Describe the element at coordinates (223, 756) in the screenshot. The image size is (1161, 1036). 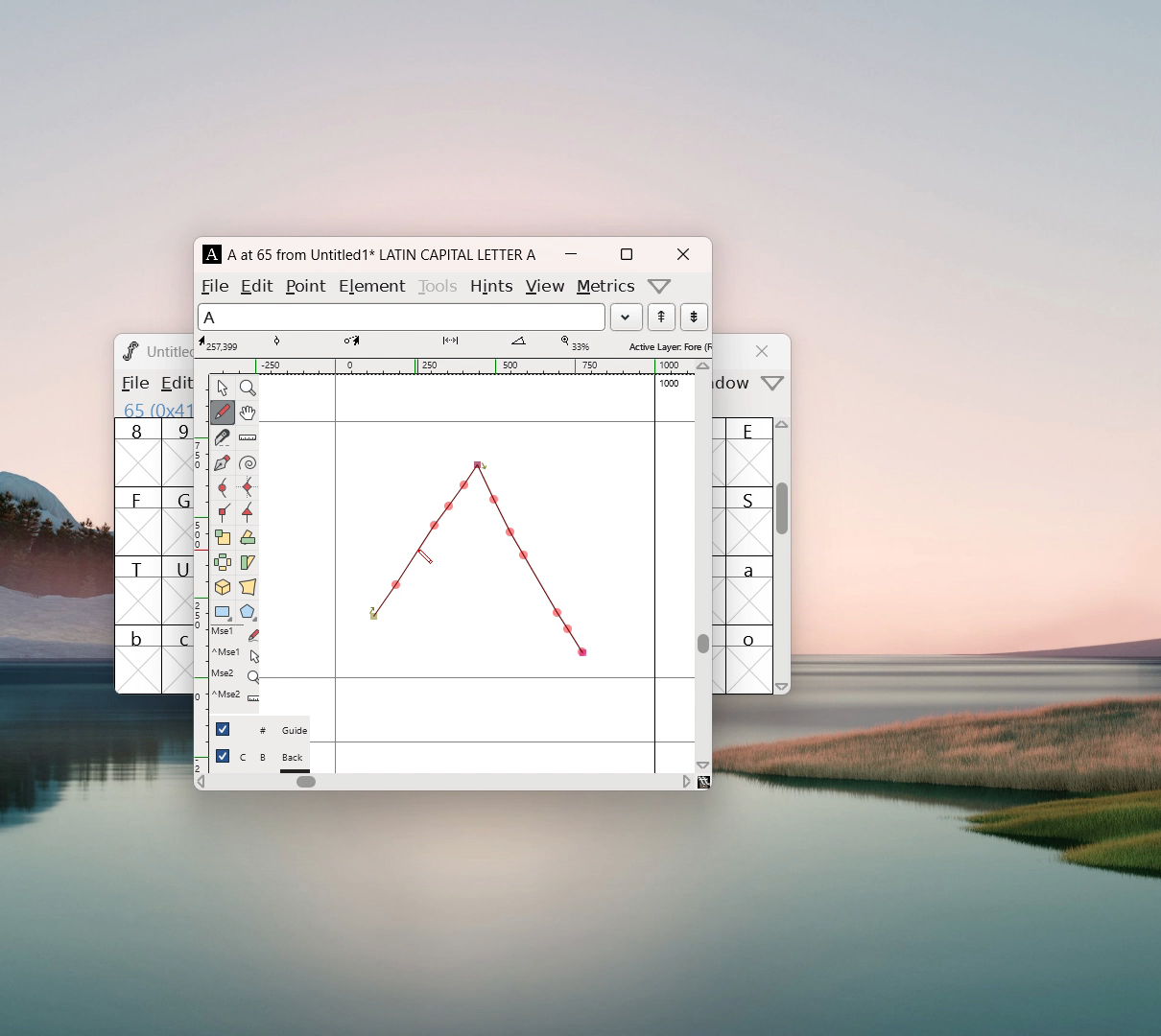
I see `checkbox` at that location.